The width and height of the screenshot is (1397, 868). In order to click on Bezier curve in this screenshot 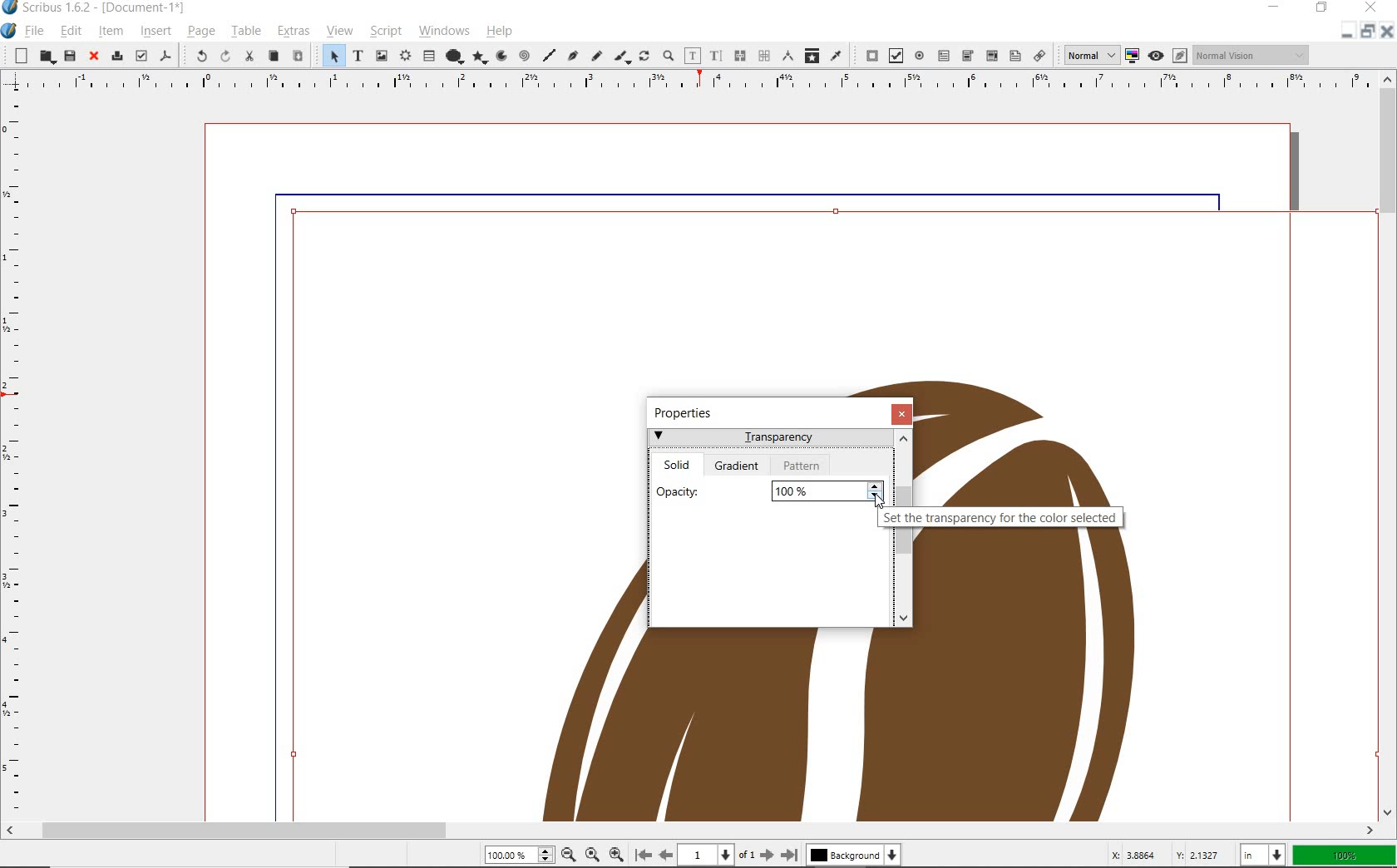, I will do `click(573, 56)`.